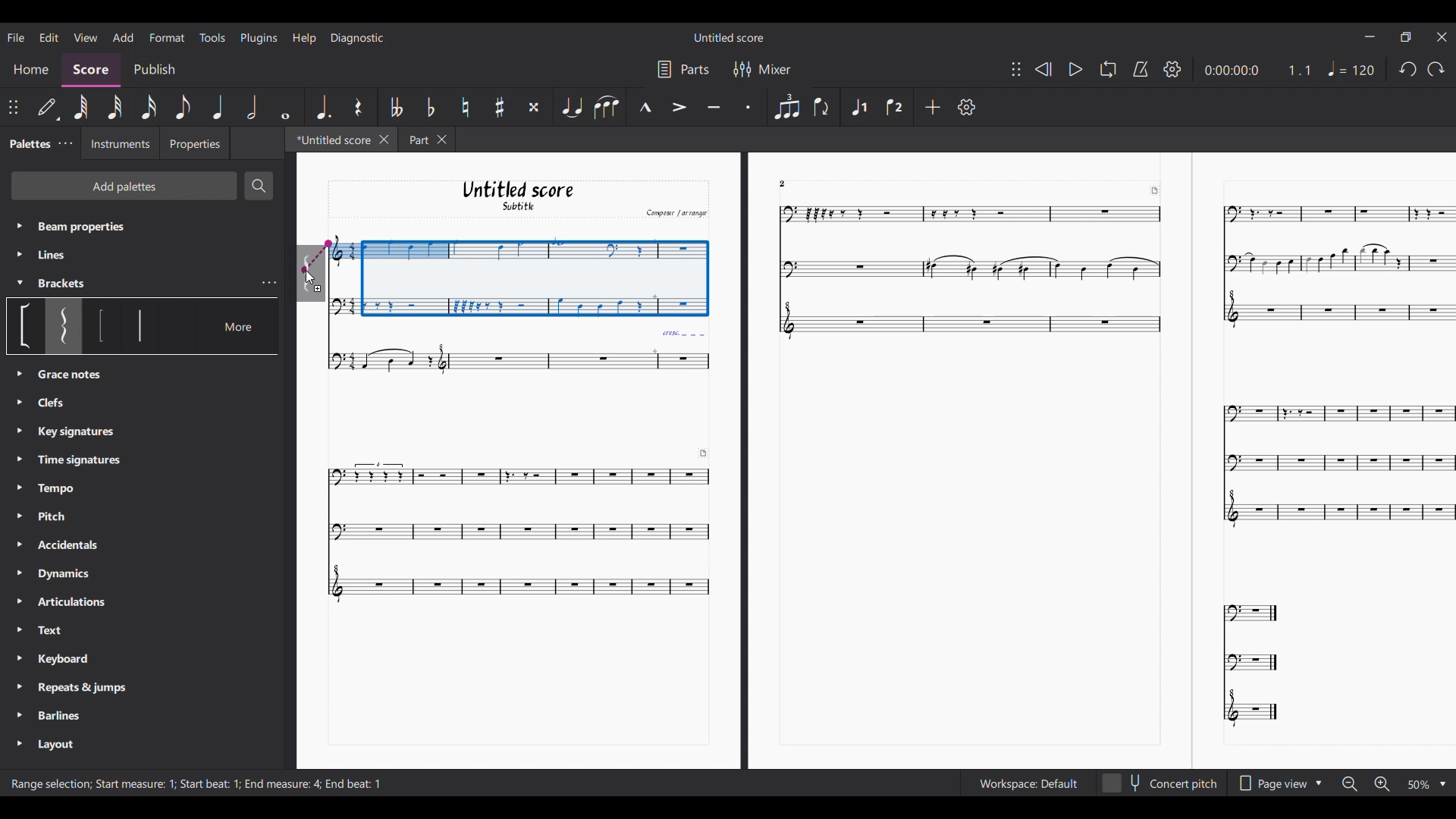  What do you see at coordinates (80, 457) in the screenshot?
I see `Time Signatures` at bounding box center [80, 457].